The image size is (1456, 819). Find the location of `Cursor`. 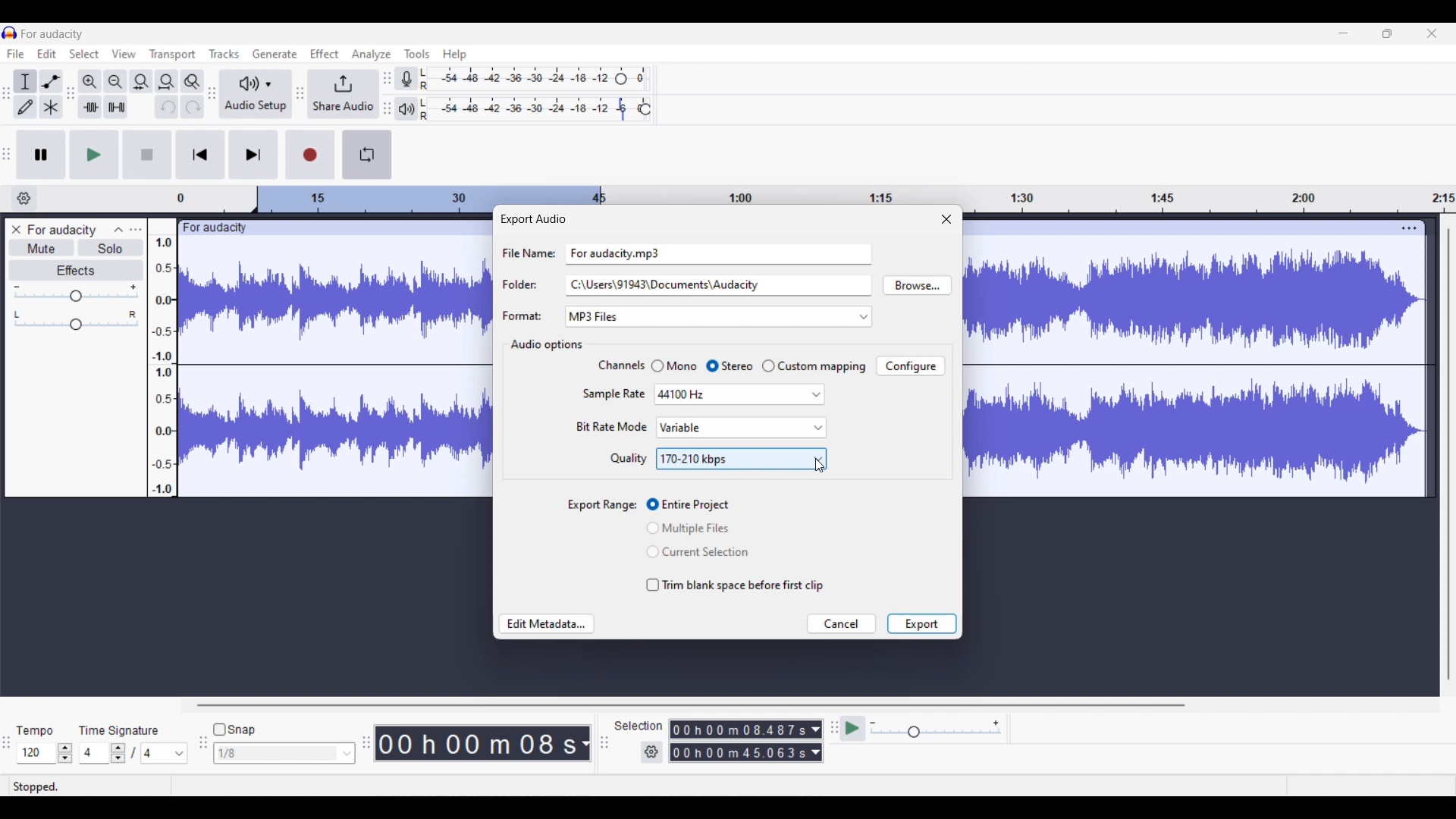

Cursor is located at coordinates (820, 466).